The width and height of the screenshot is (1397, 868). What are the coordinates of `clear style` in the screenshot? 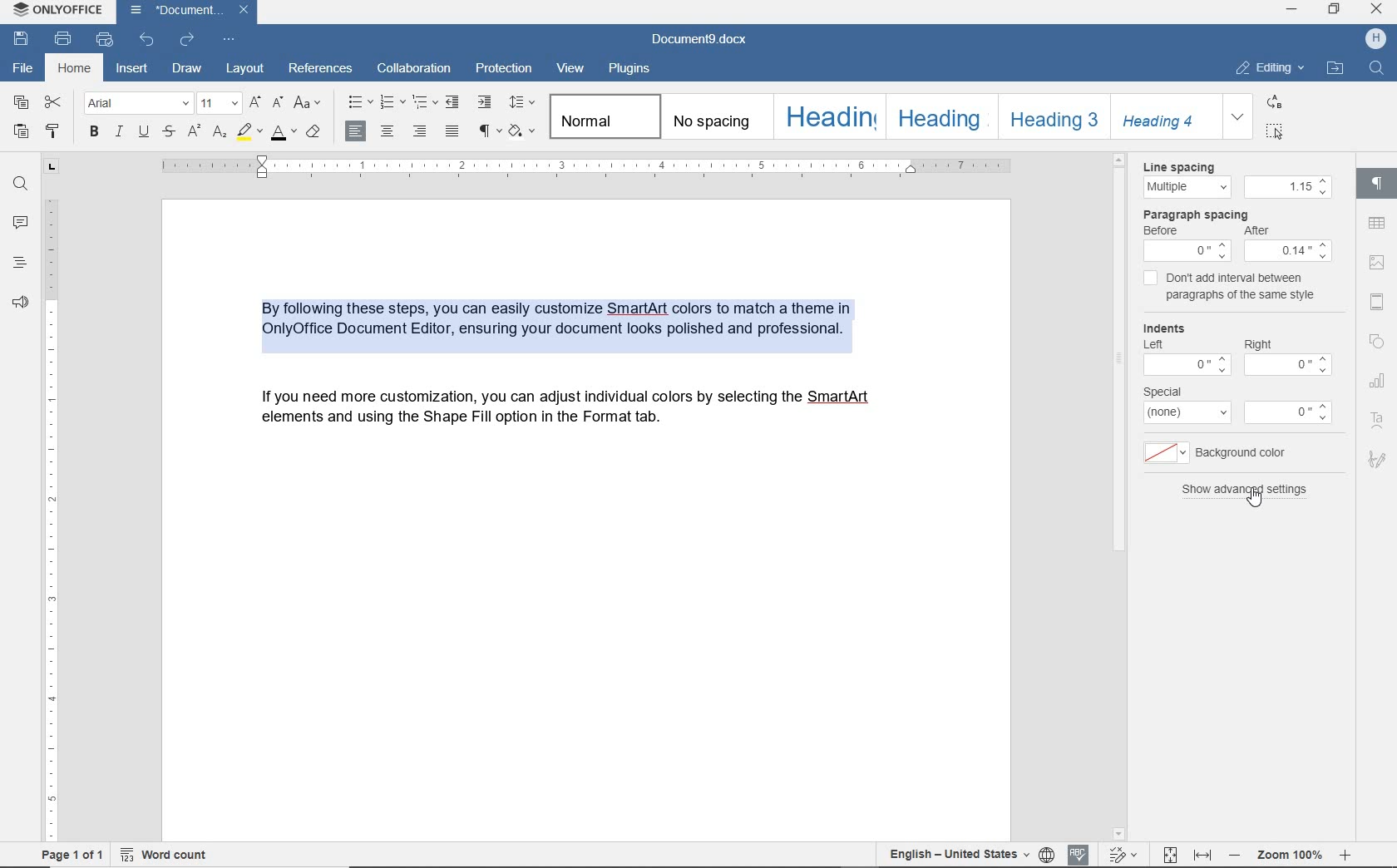 It's located at (313, 133).